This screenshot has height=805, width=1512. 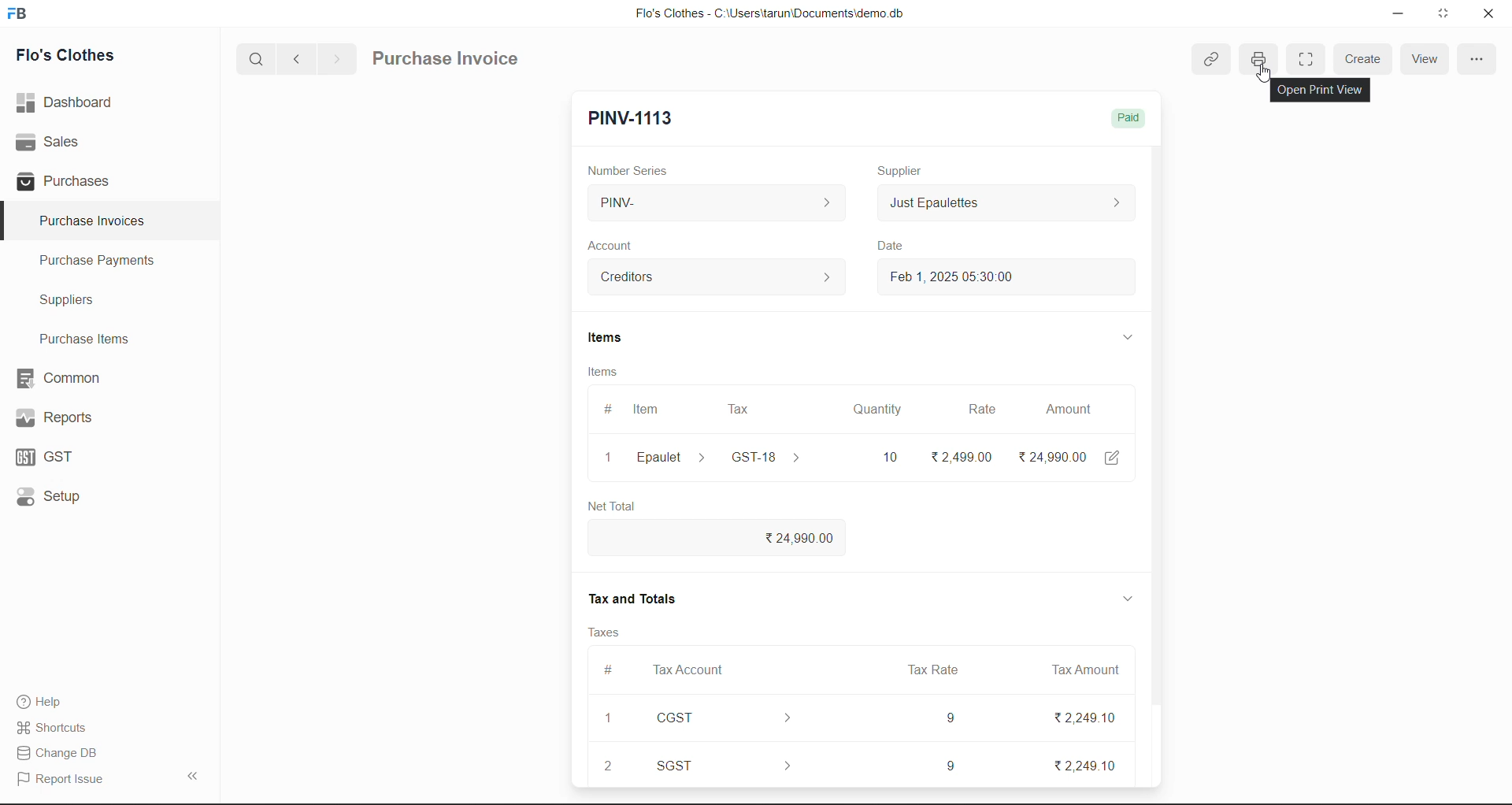 I want to click on Date, so click(x=896, y=247).